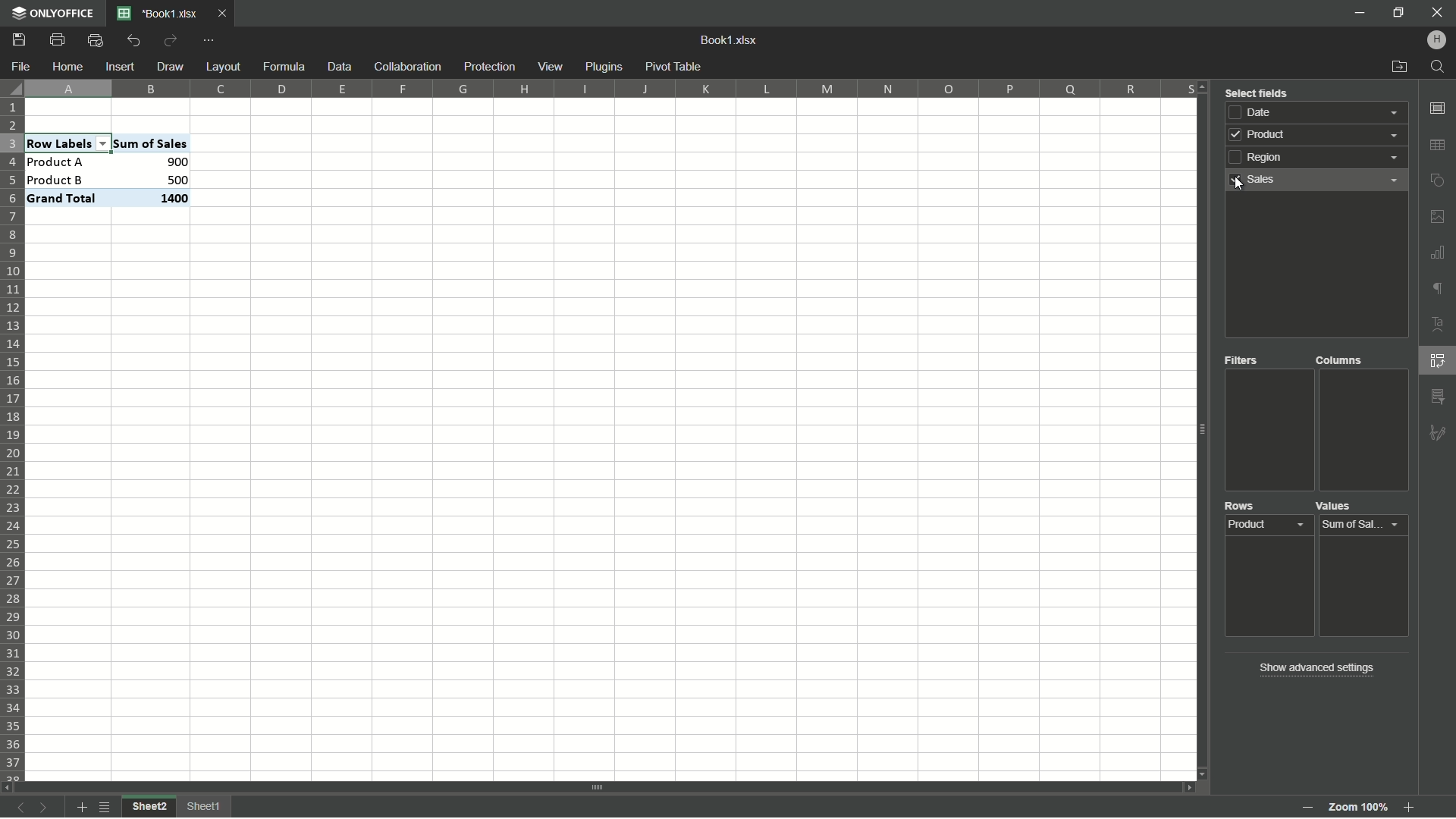  I want to click on format marks, so click(1438, 290).